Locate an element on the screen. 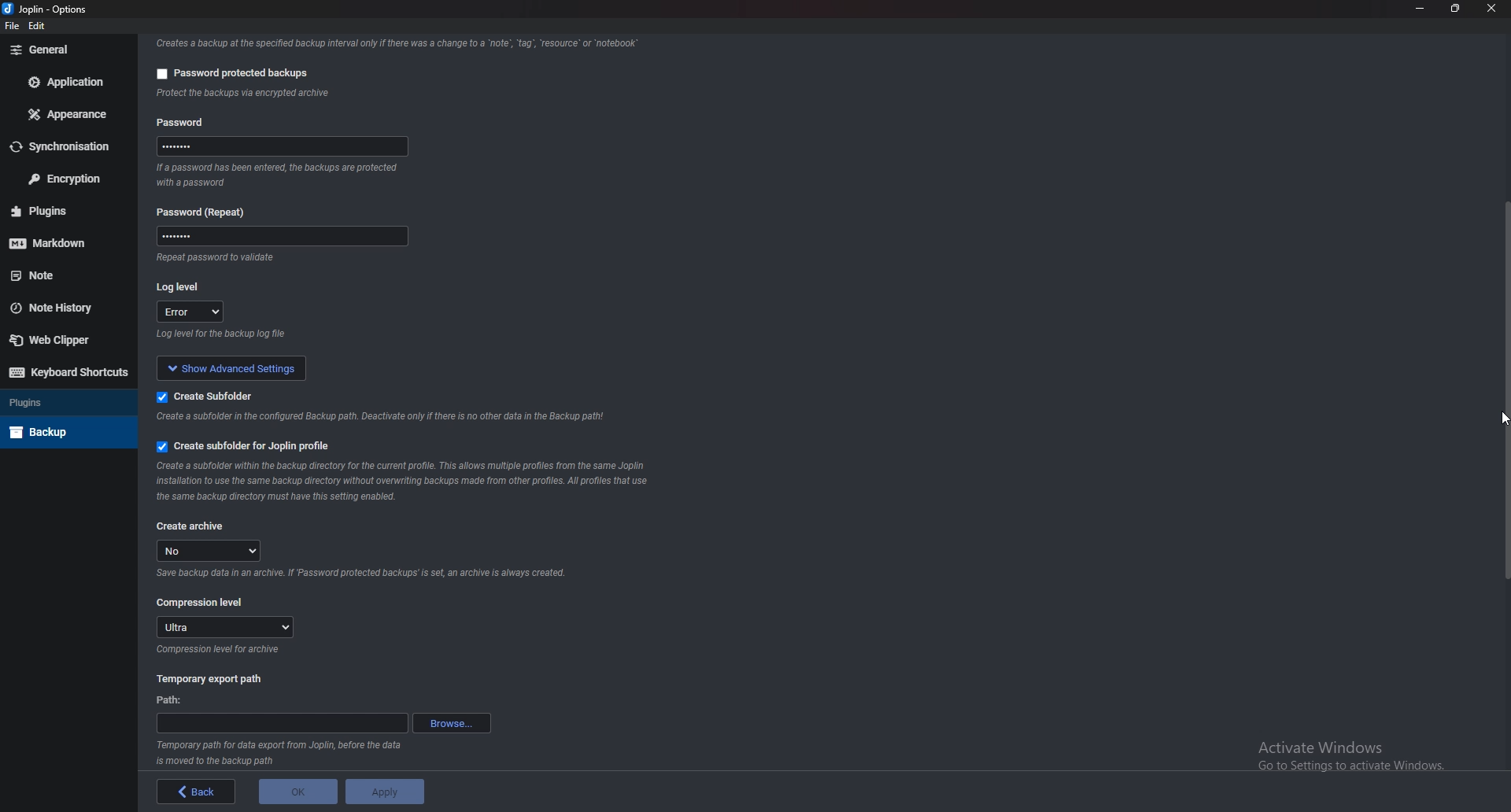 This screenshot has width=1511, height=812. info is located at coordinates (281, 175).